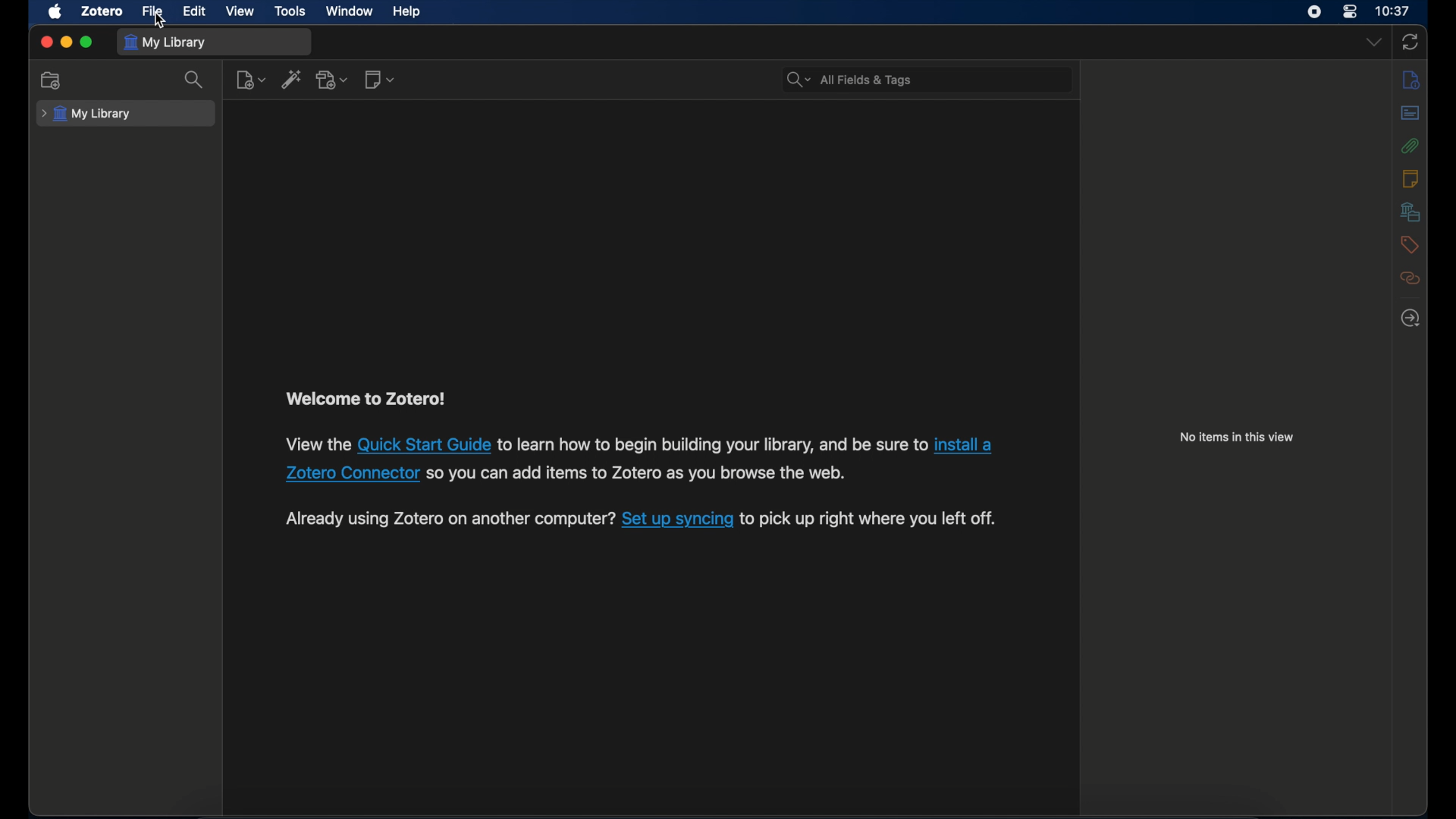 The height and width of the screenshot is (819, 1456). What do you see at coordinates (1410, 212) in the screenshot?
I see `libraries` at bounding box center [1410, 212].